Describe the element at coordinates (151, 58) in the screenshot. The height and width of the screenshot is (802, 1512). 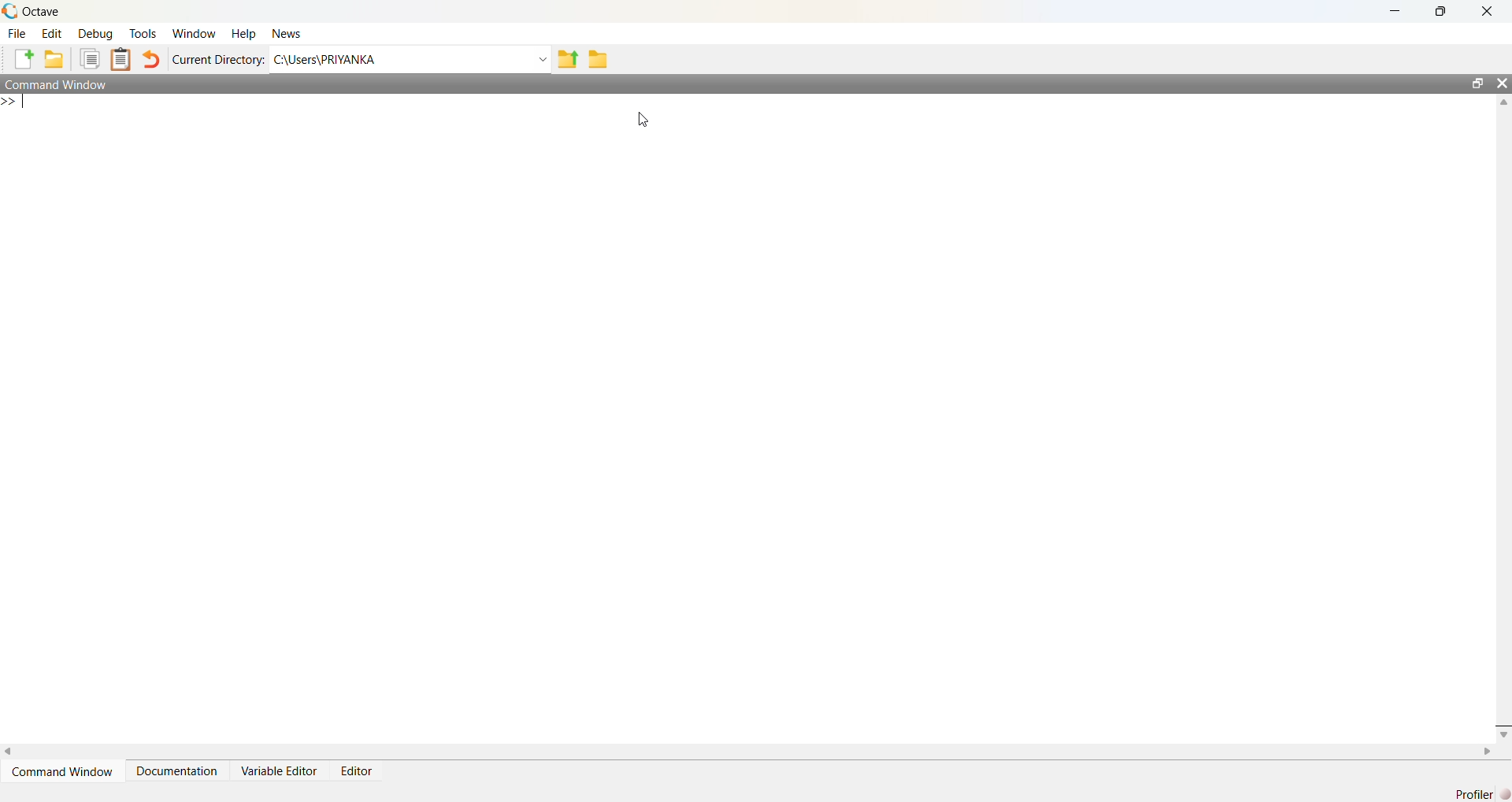
I see `Undo` at that location.